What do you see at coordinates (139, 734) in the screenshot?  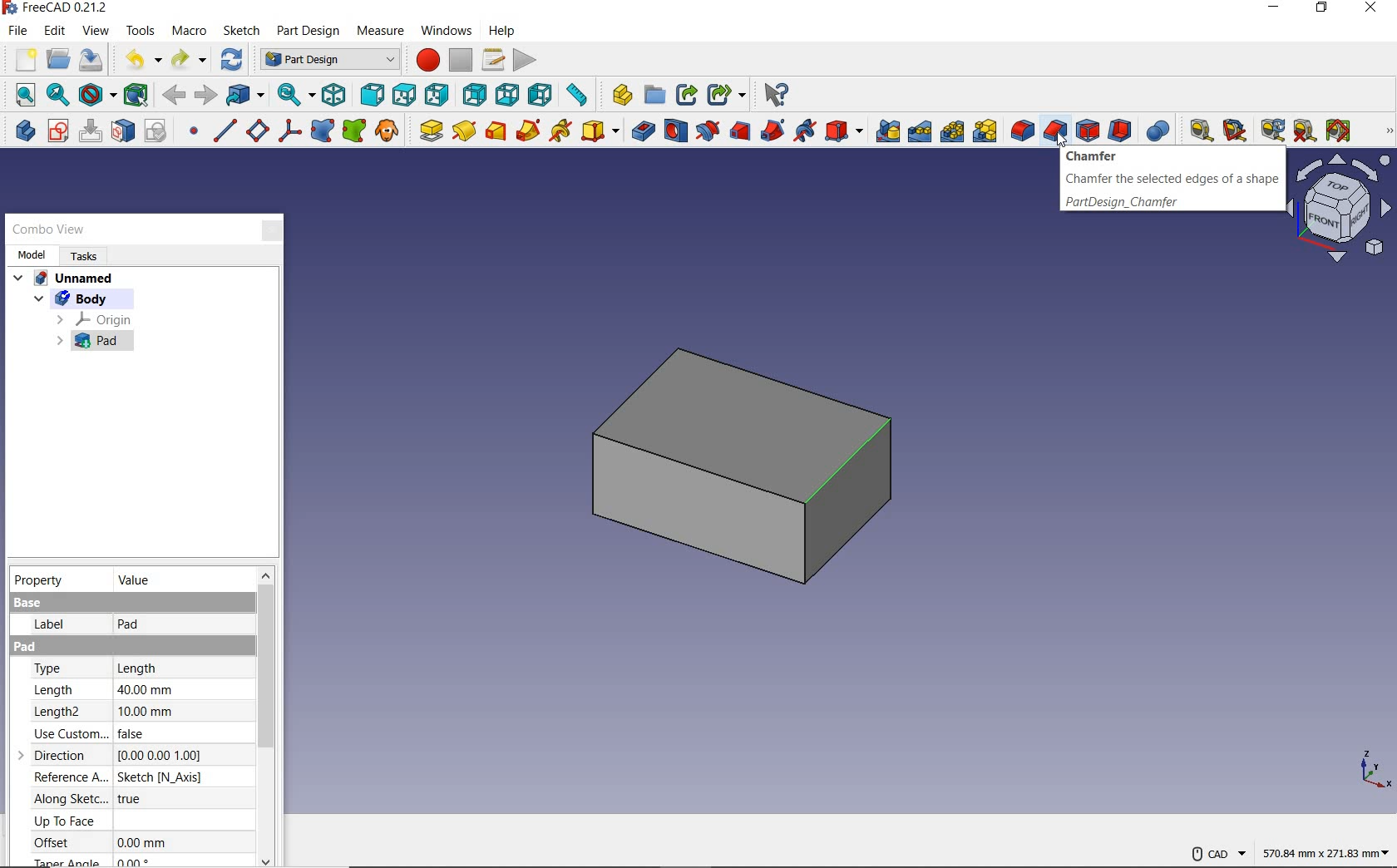 I see `false` at bounding box center [139, 734].